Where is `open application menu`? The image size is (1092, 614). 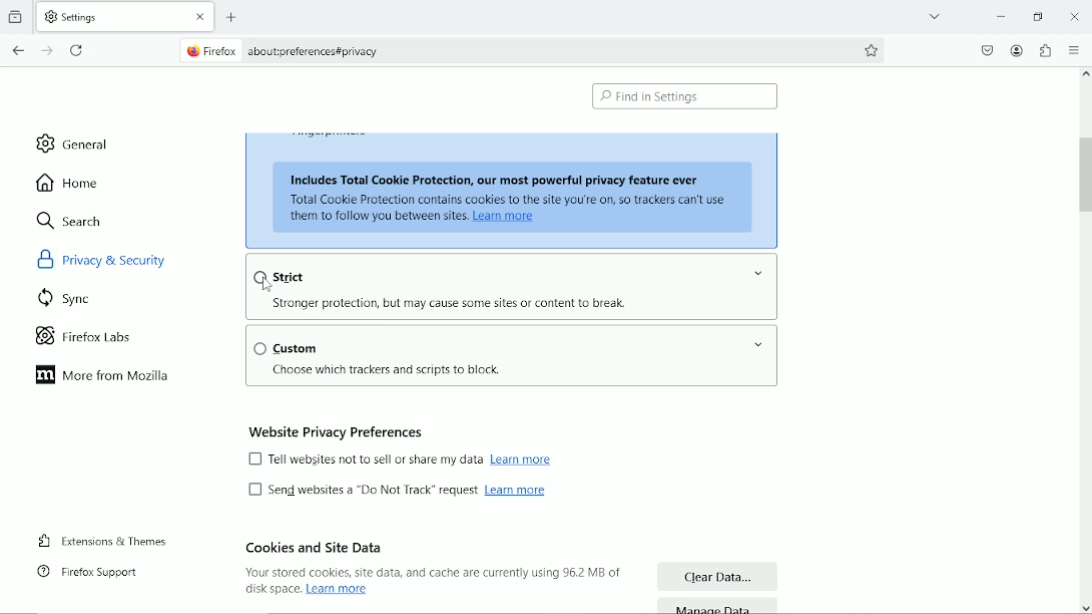
open application menu is located at coordinates (1077, 51).